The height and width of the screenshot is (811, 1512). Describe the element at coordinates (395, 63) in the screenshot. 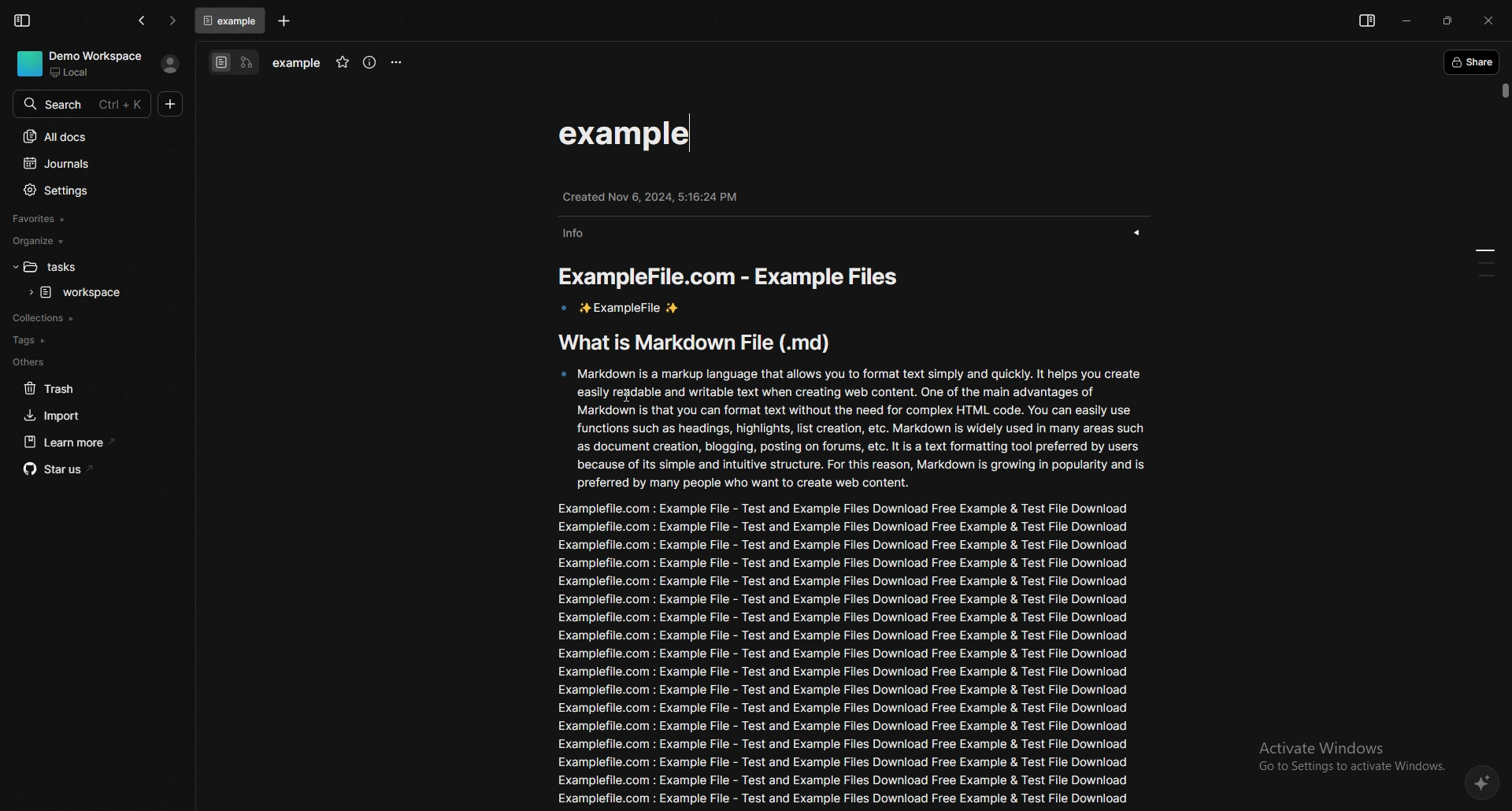

I see `options` at that location.